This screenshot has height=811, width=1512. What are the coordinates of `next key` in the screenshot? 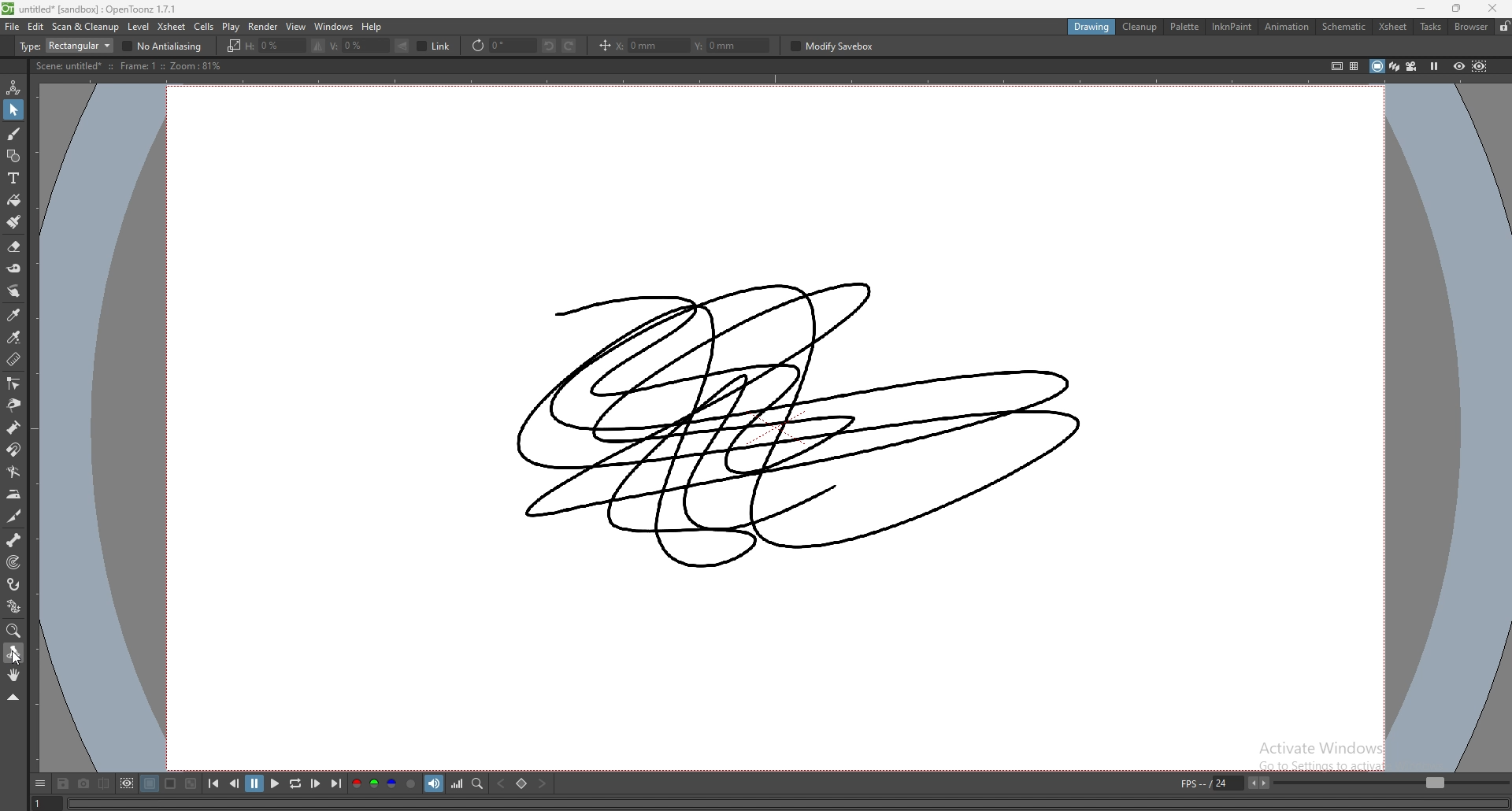 It's located at (541, 783).